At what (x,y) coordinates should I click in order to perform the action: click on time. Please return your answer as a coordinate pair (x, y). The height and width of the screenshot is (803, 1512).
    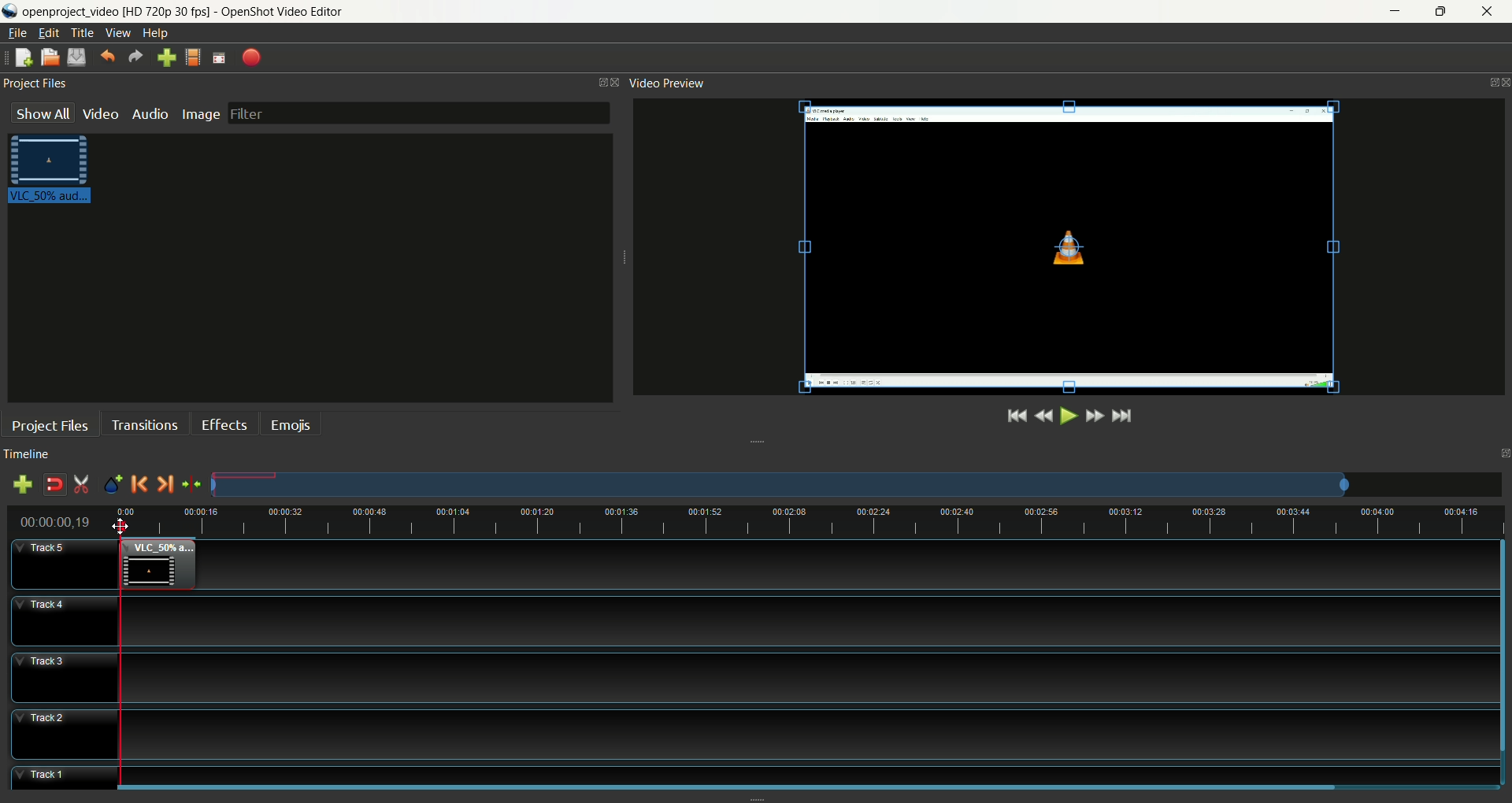
    Looking at the image, I should click on (62, 522).